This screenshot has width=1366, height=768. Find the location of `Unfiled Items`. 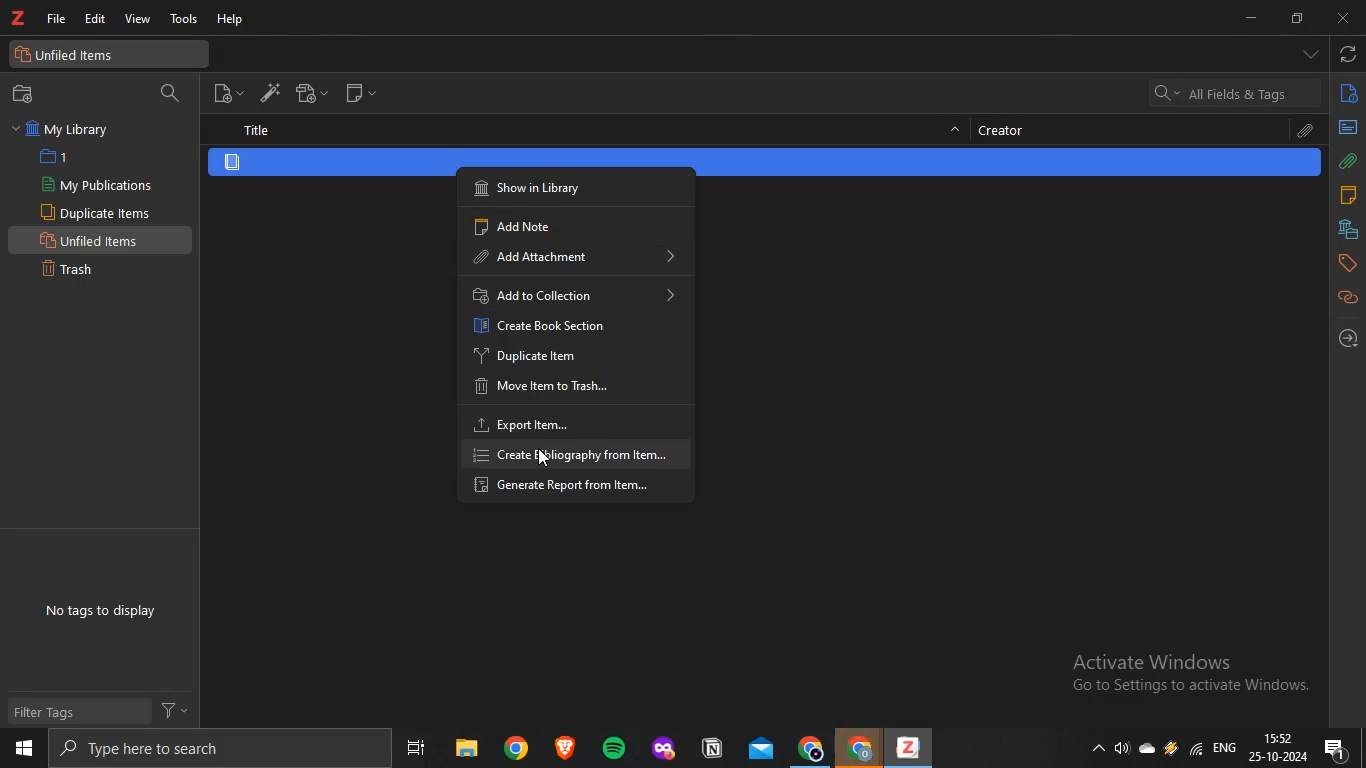

Unfiled Items is located at coordinates (94, 239).